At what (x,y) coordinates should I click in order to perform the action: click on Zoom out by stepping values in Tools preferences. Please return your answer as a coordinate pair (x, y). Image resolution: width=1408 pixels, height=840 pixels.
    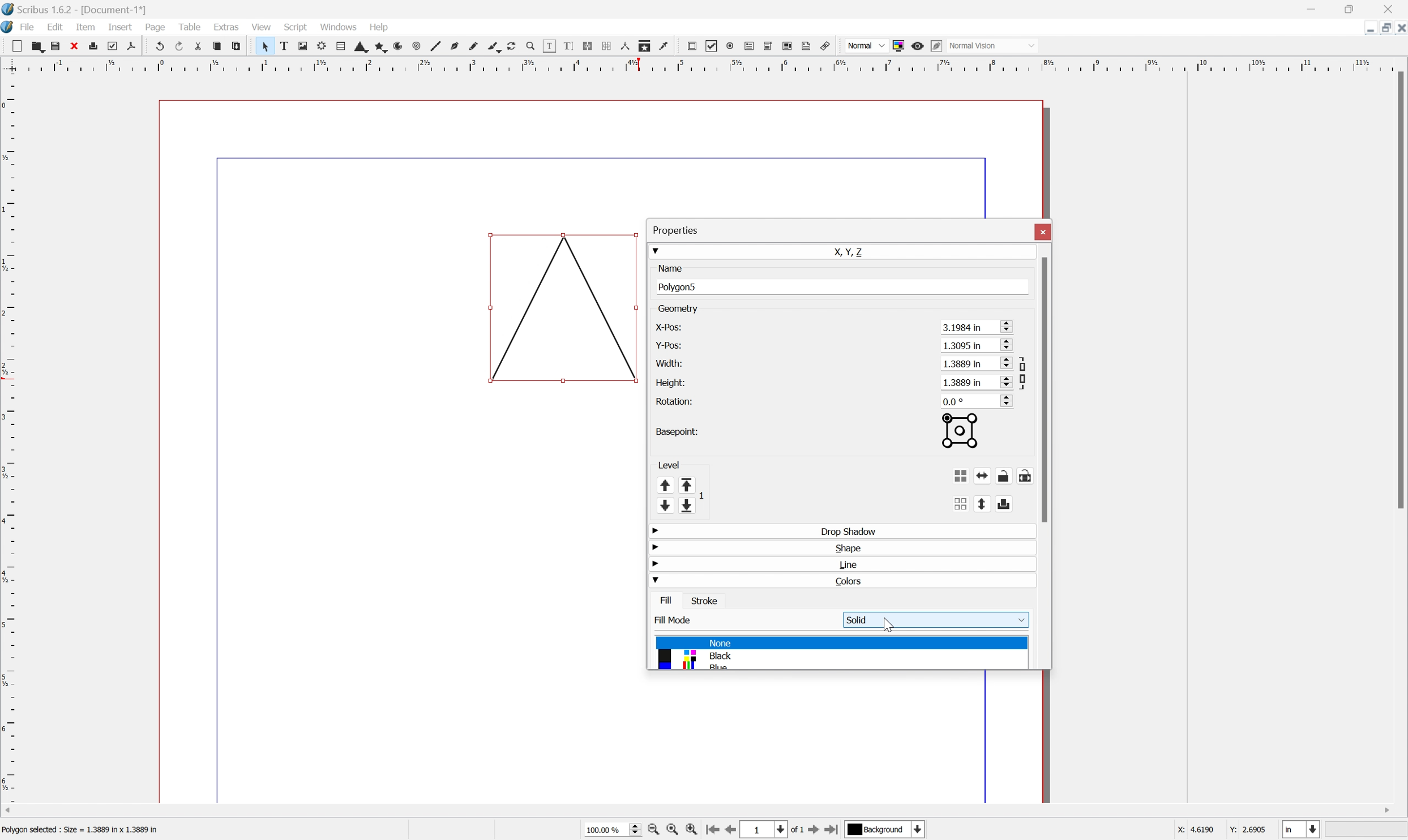
    Looking at the image, I should click on (654, 830).